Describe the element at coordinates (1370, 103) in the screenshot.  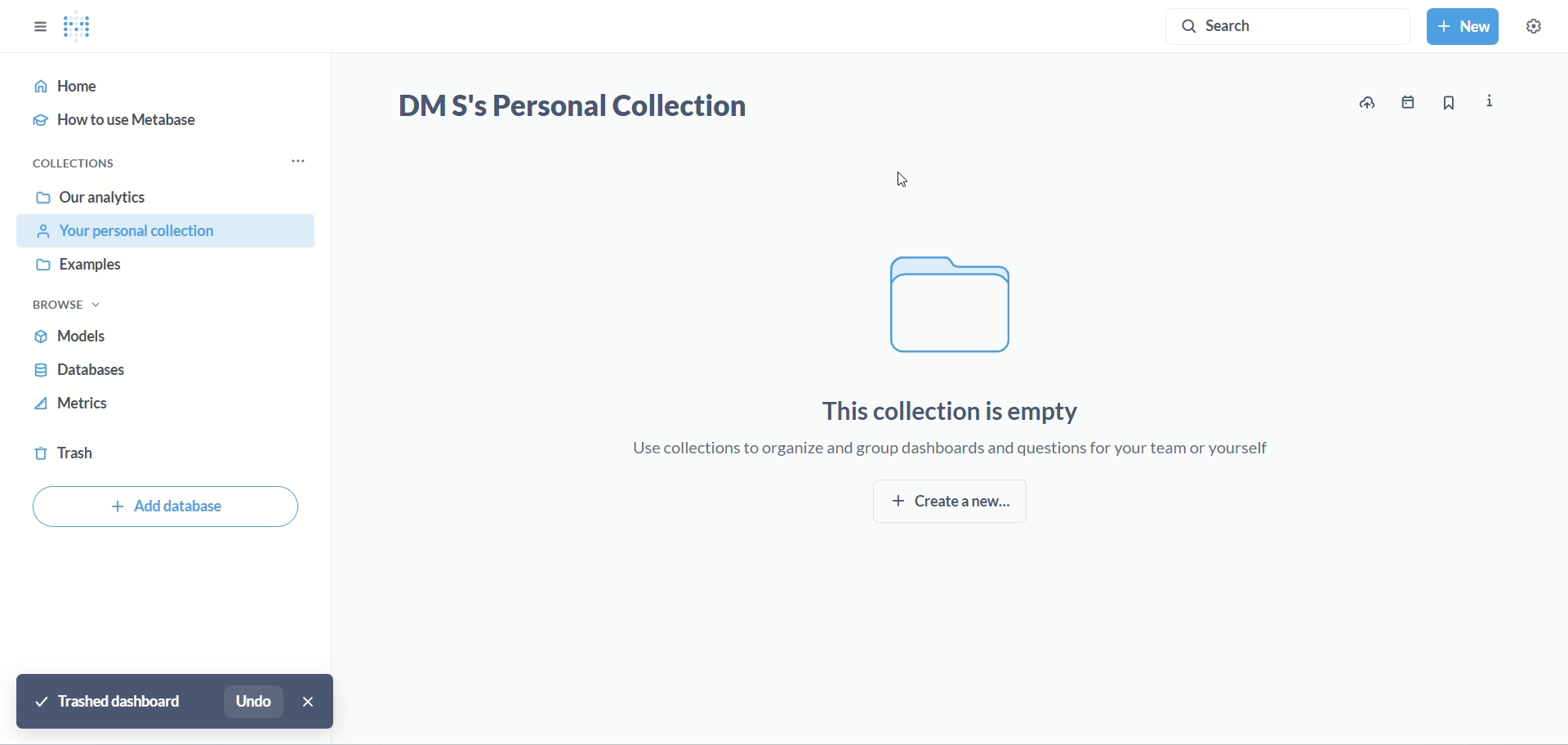
I see `update data` at that location.